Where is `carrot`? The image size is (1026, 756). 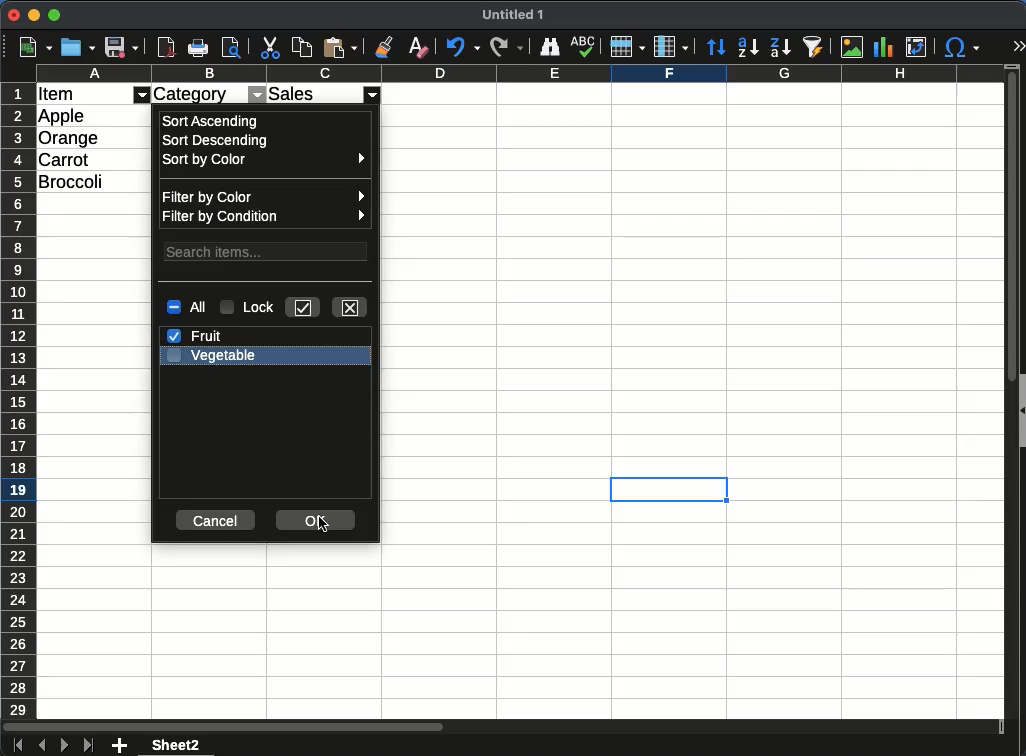 carrot is located at coordinates (64, 158).